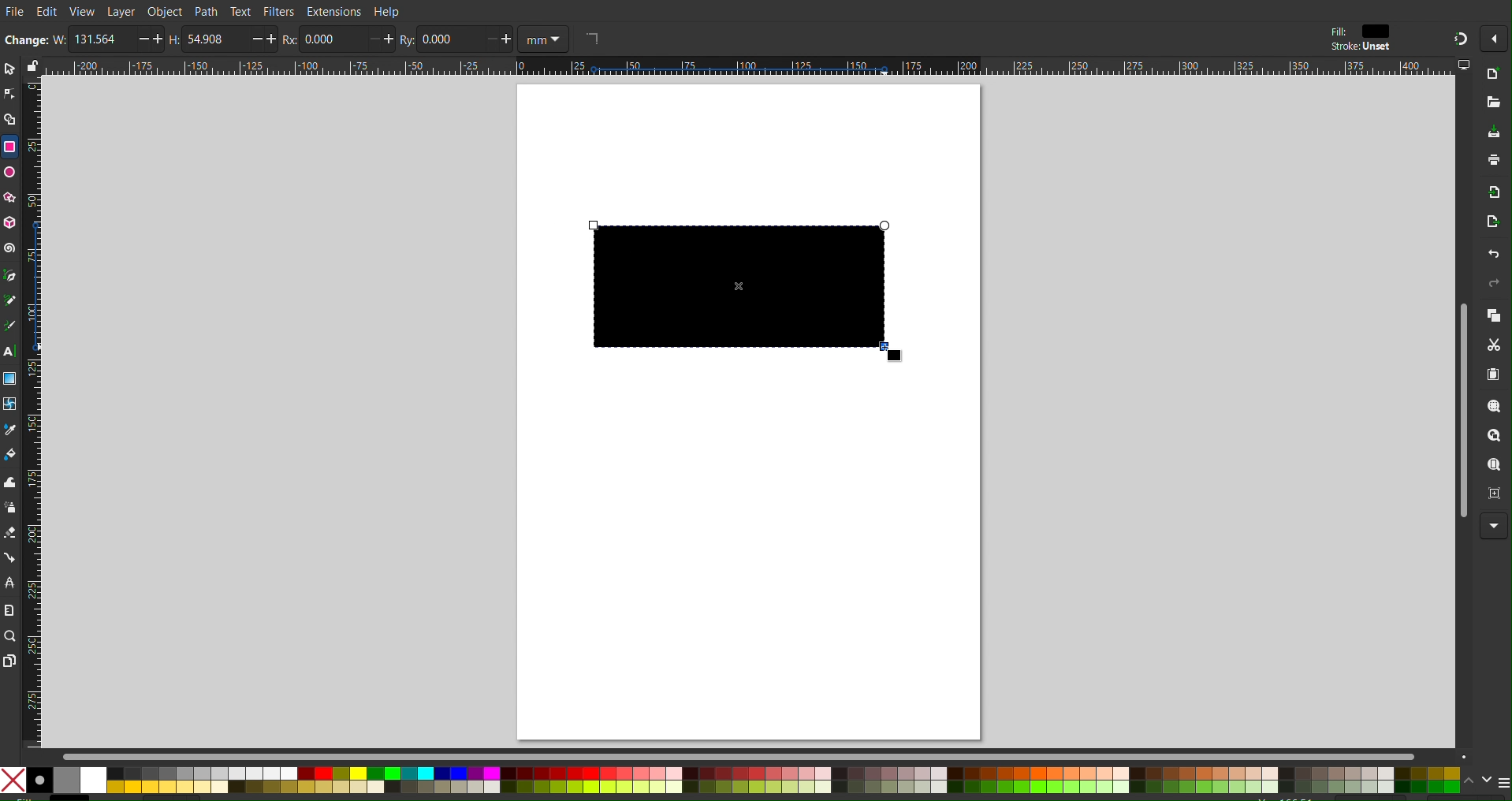 Image resolution: width=1512 pixels, height=801 pixels. Describe the element at coordinates (216, 39) in the screenshot. I see `54` at that location.